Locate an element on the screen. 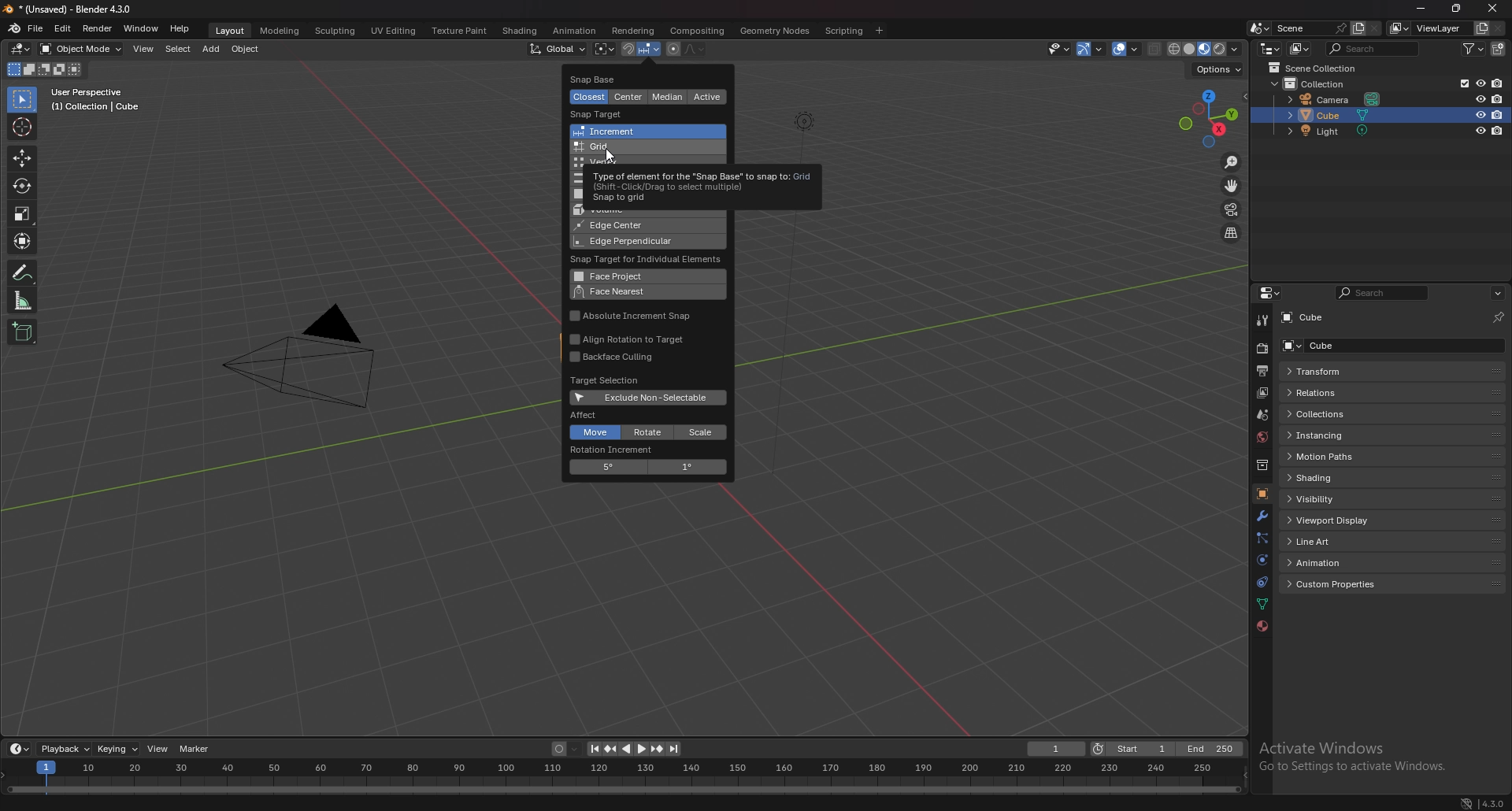 The width and height of the screenshot is (1512, 811). show overlays is located at coordinates (1127, 49).